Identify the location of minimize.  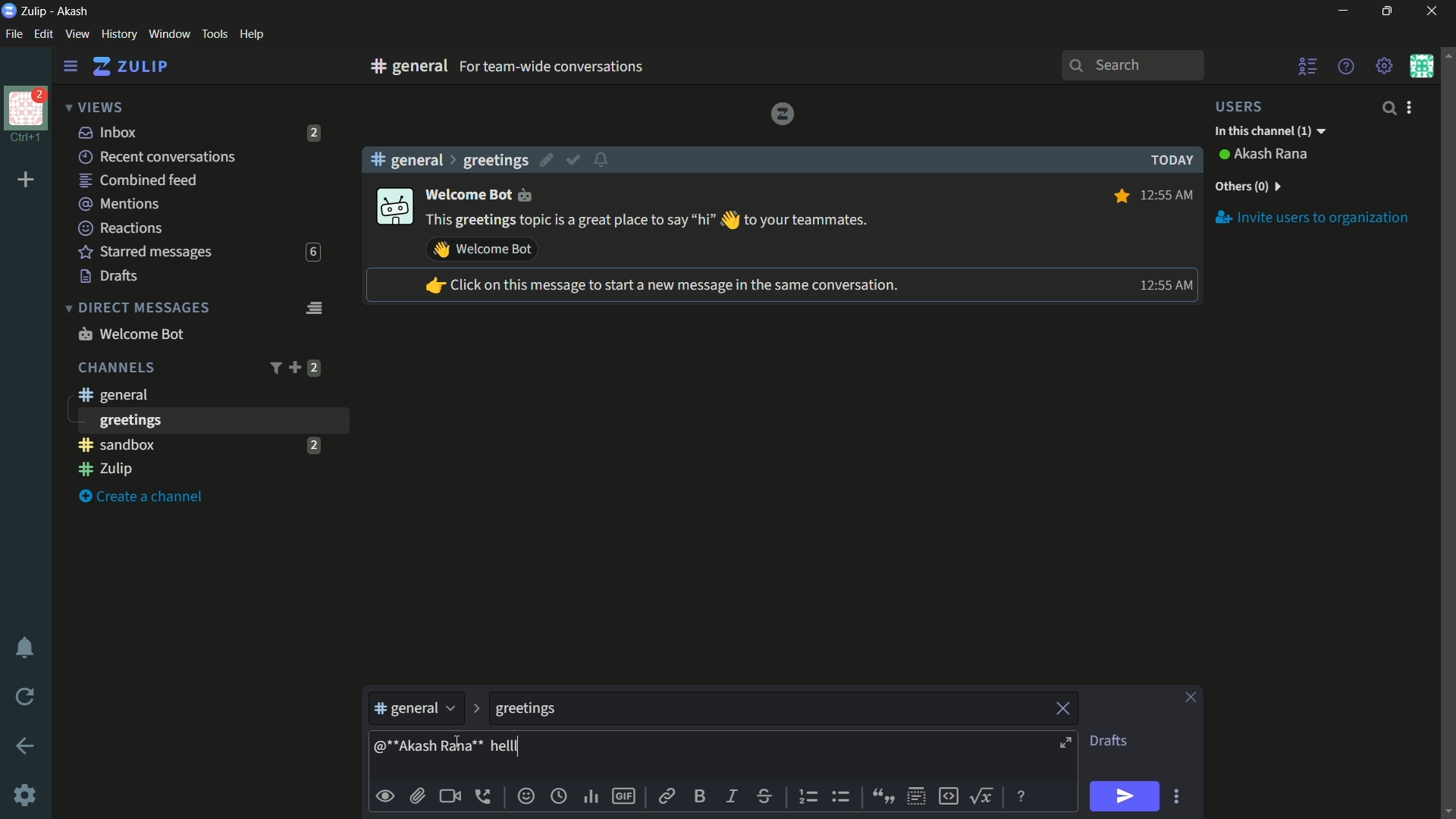
(1342, 11).